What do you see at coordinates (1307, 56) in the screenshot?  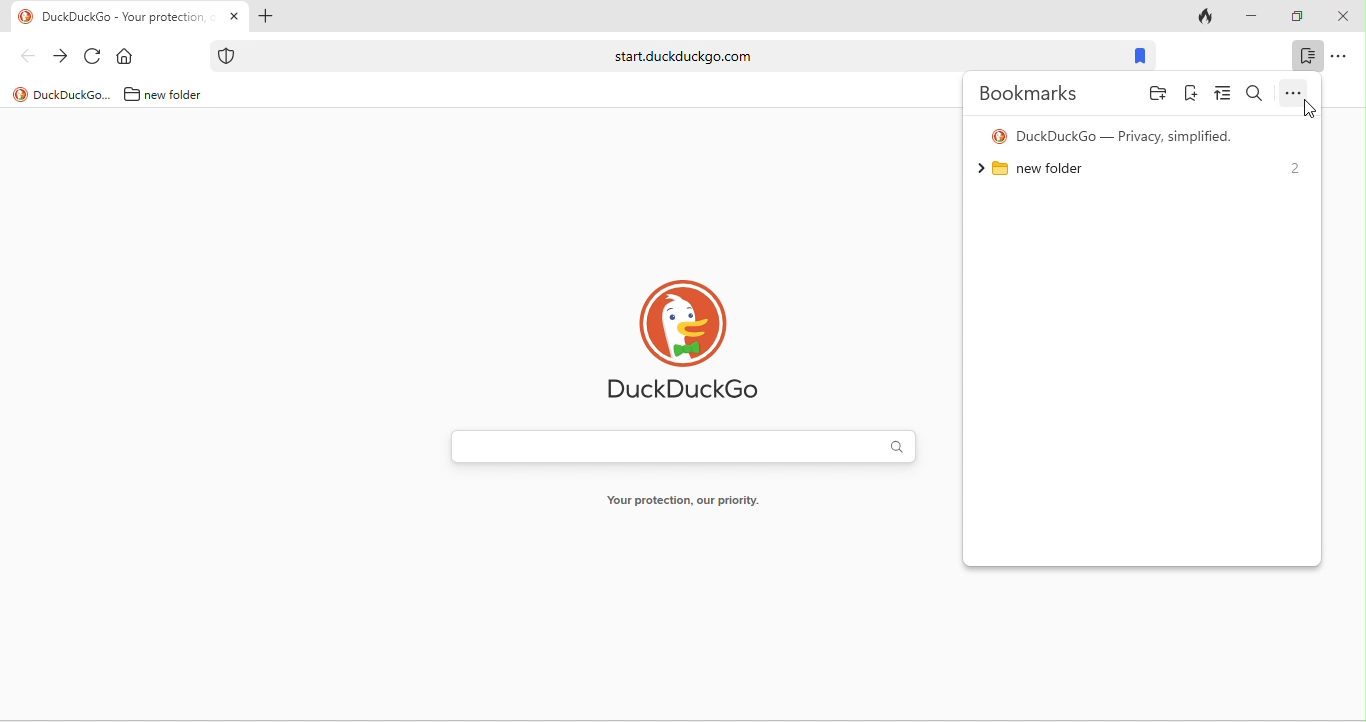 I see `bookmark` at bounding box center [1307, 56].